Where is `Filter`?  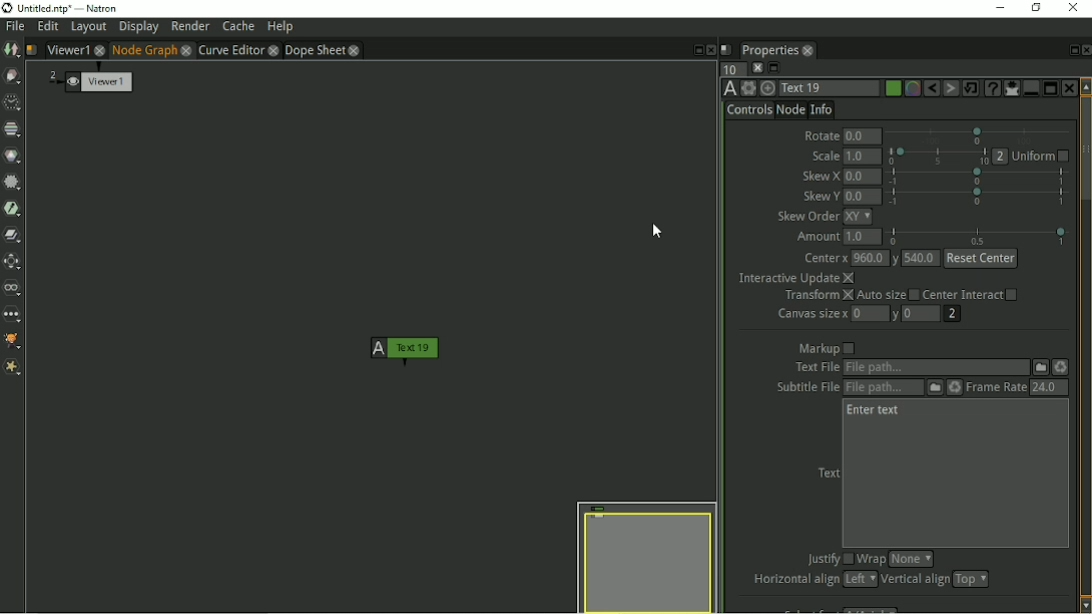
Filter is located at coordinates (12, 183).